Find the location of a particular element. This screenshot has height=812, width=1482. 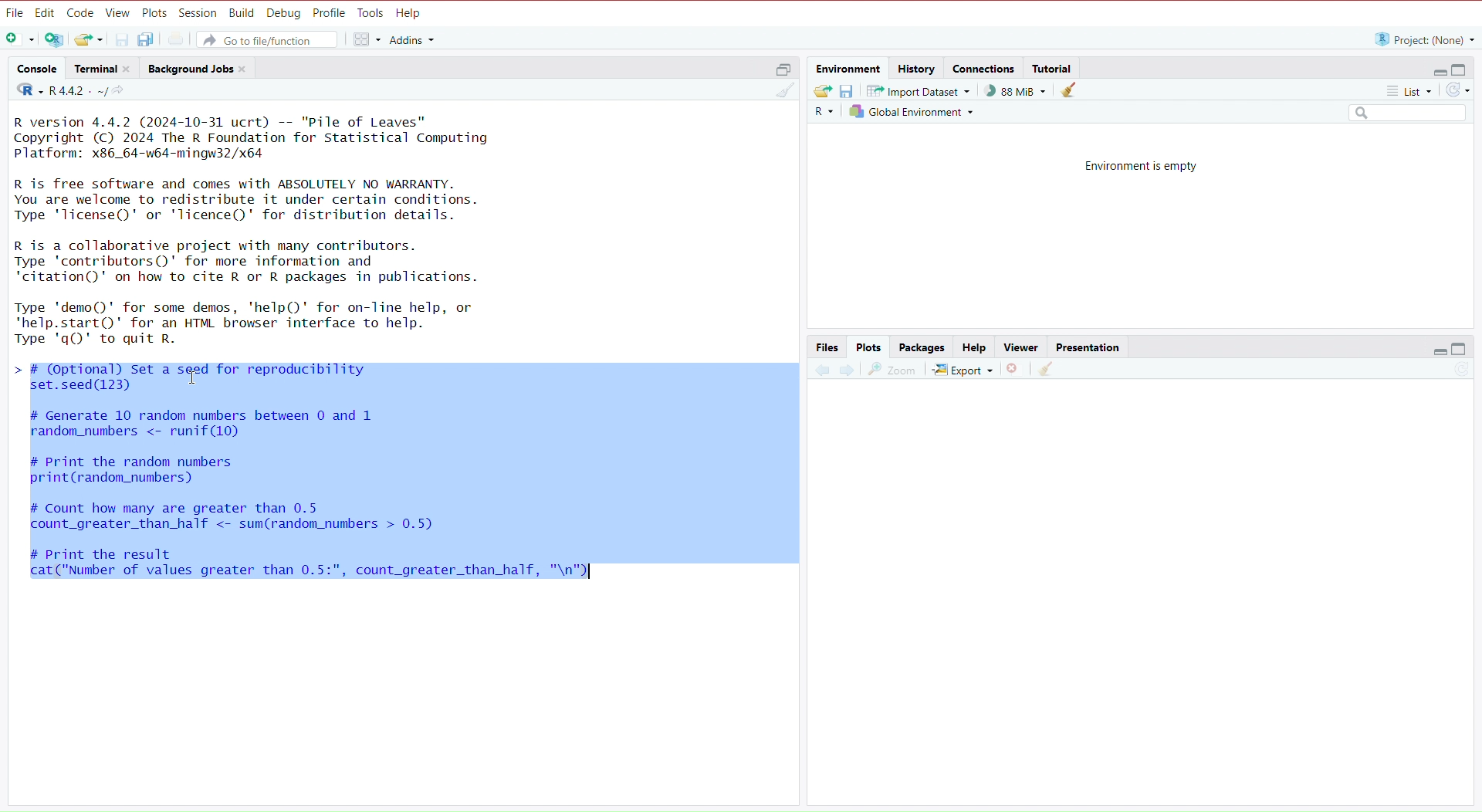

Packages is located at coordinates (921, 347).